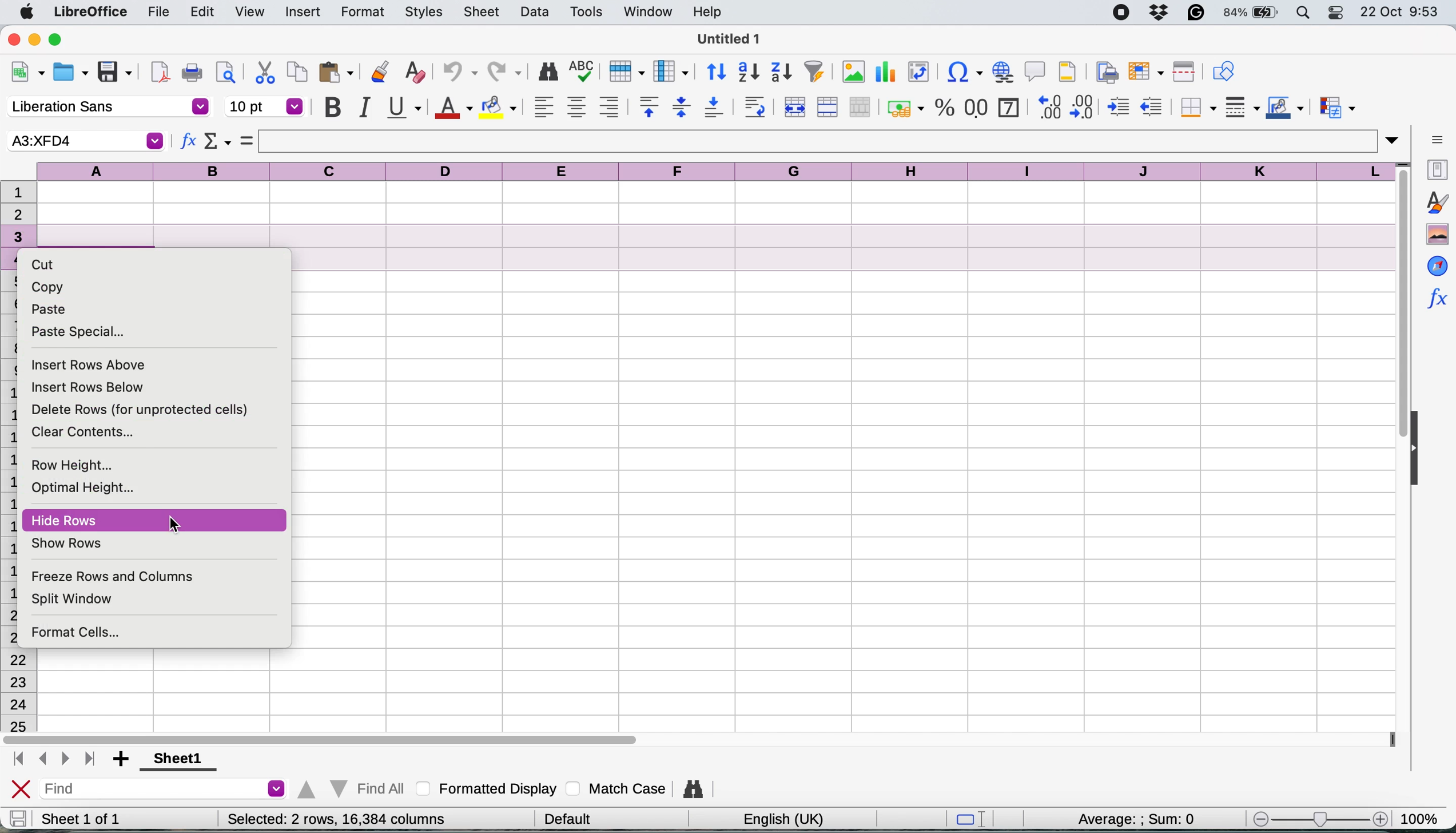 This screenshot has width=1456, height=833. What do you see at coordinates (1143, 72) in the screenshot?
I see `freeze rows and columns` at bounding box center [1143, 72].